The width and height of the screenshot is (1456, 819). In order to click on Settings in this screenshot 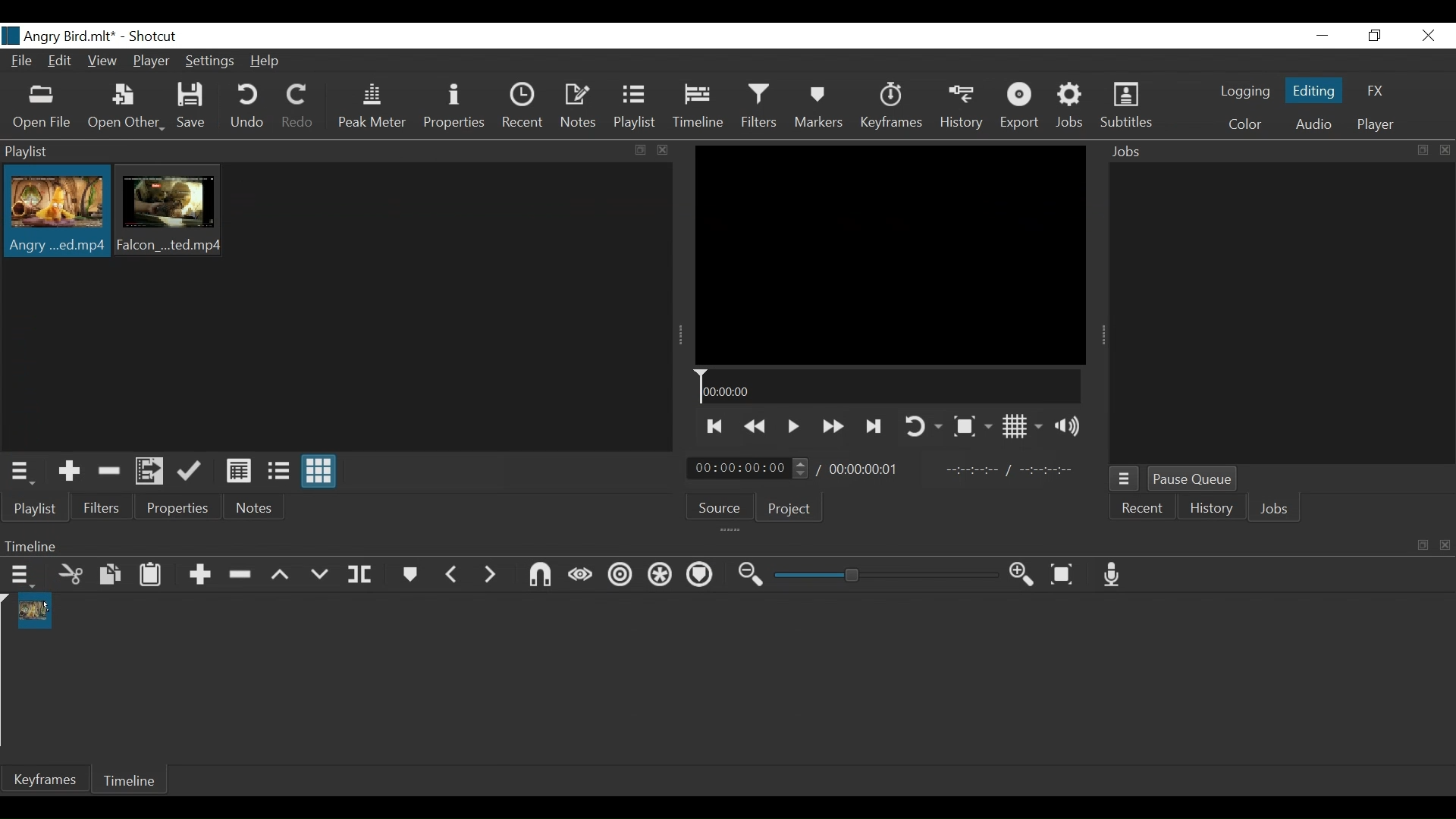, I will do `click(212, 62)`.